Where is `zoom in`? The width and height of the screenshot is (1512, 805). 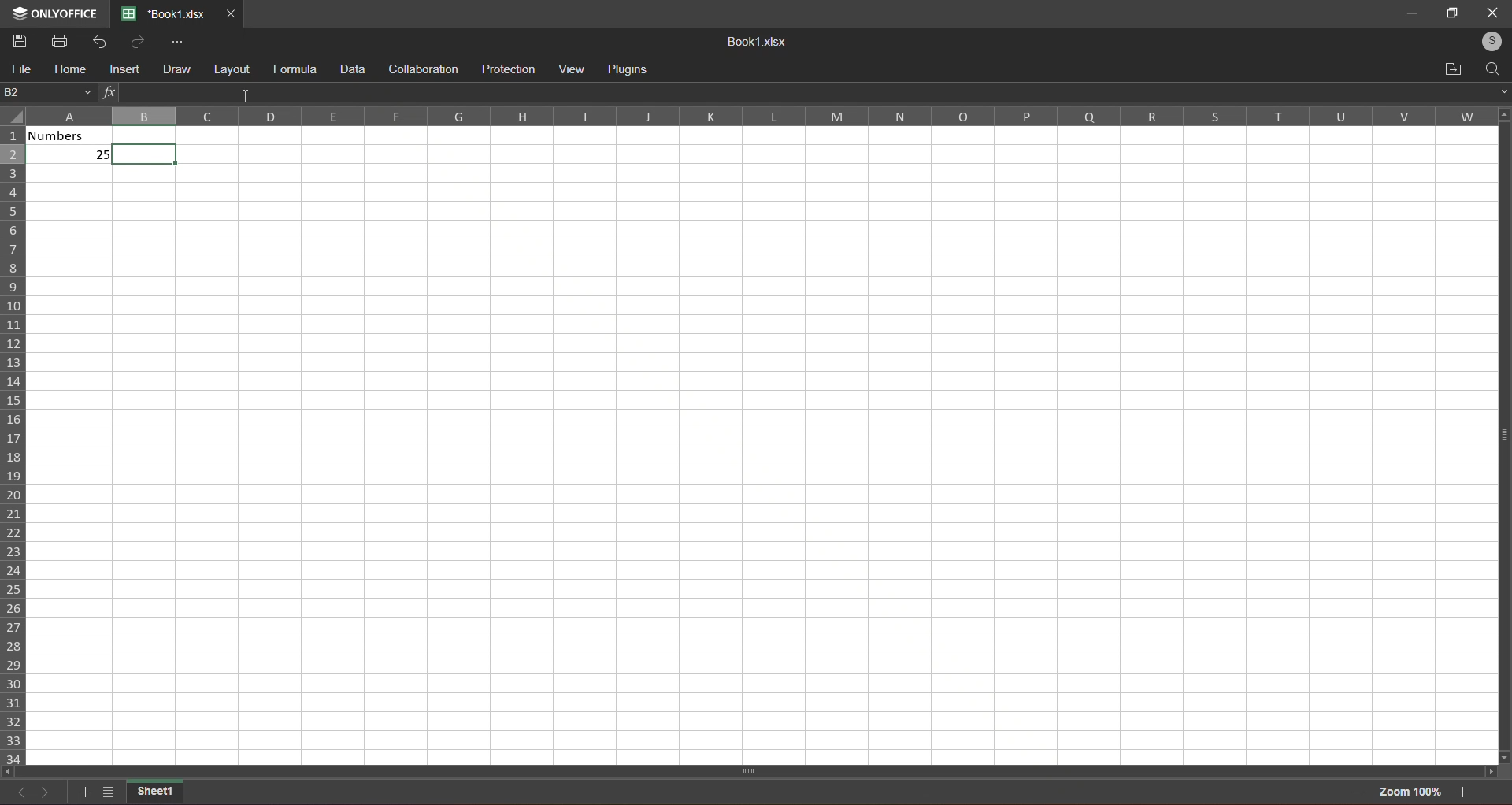
zoom in is located at coordinates (1464, 793).